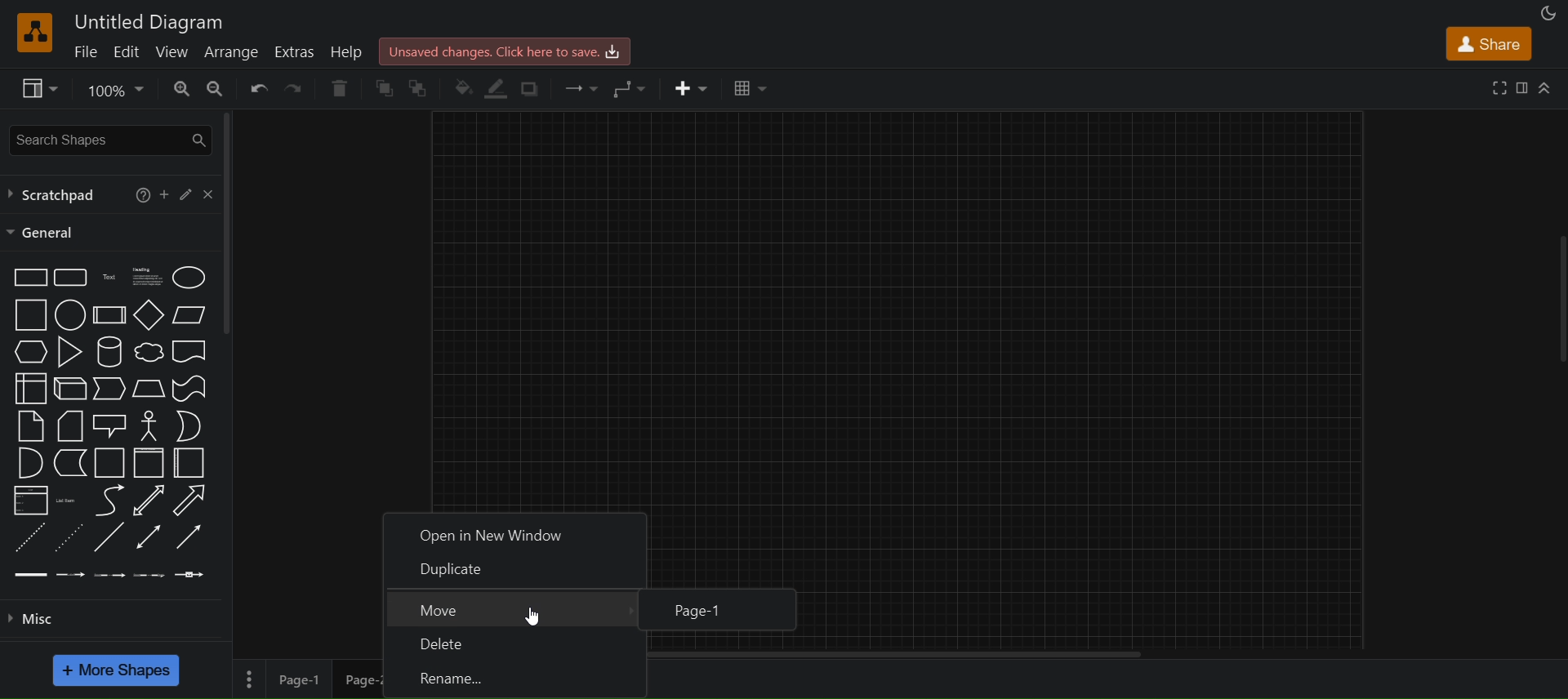 The height and width of the screenshot is (699, 1568). What do you see at coordinates (422, 89) in the screenshot?
I see `to back` at bounding box center [422, 89].